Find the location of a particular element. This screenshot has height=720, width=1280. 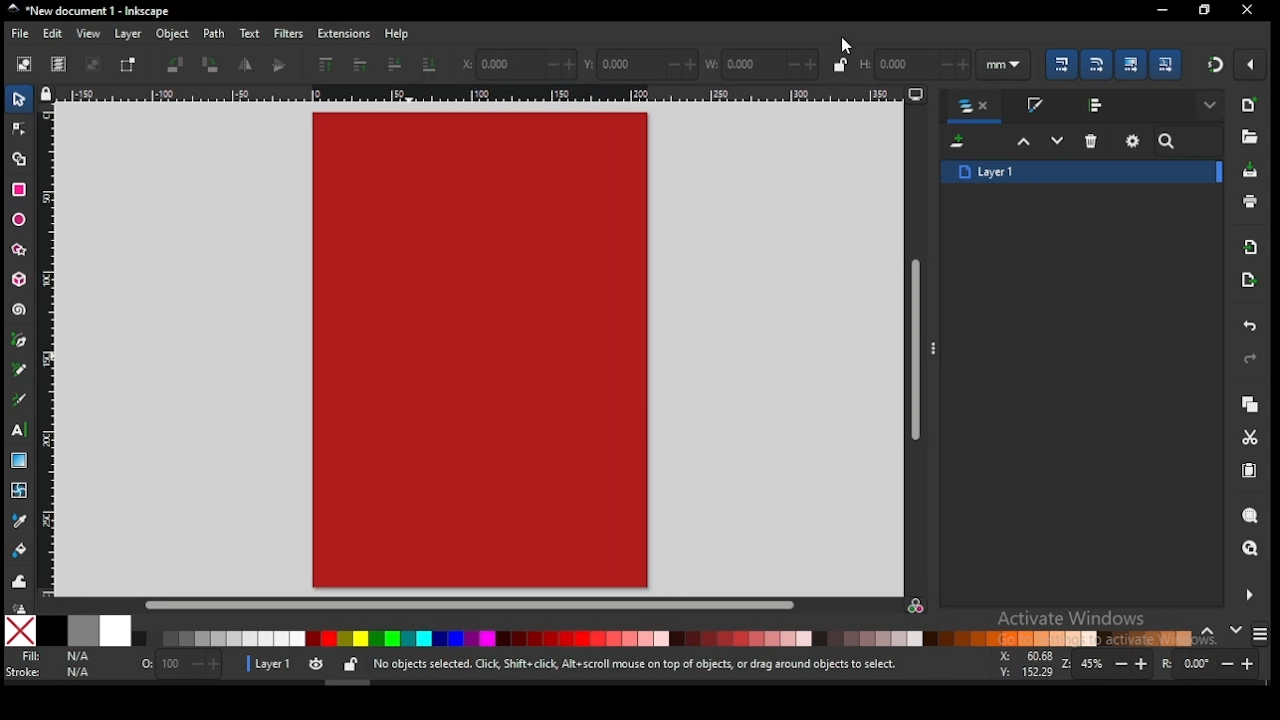

search bar is located at coordinates (1189, 141).